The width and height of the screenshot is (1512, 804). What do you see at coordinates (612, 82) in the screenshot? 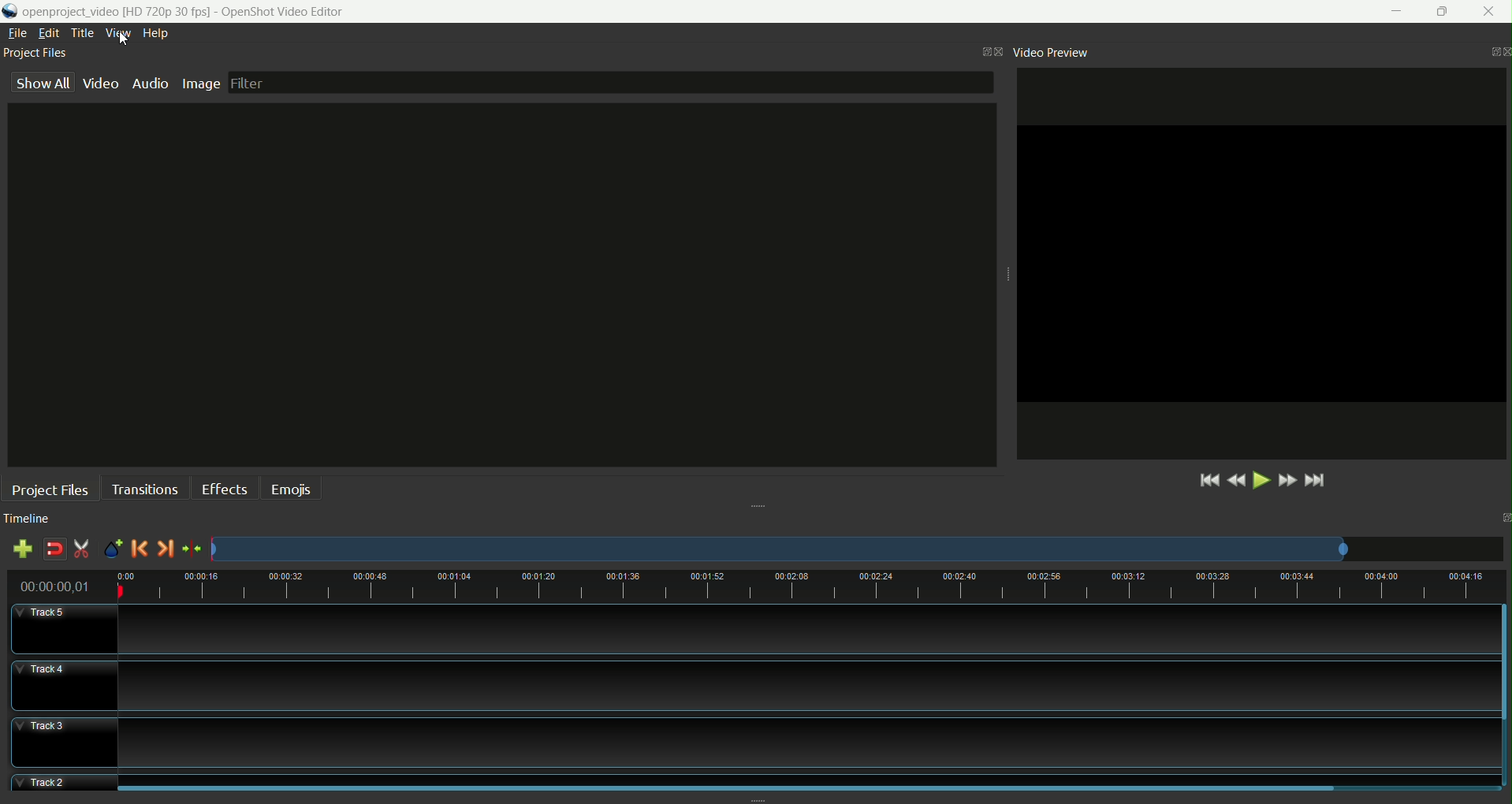
I see `filter` at bounding box center [612, 82].